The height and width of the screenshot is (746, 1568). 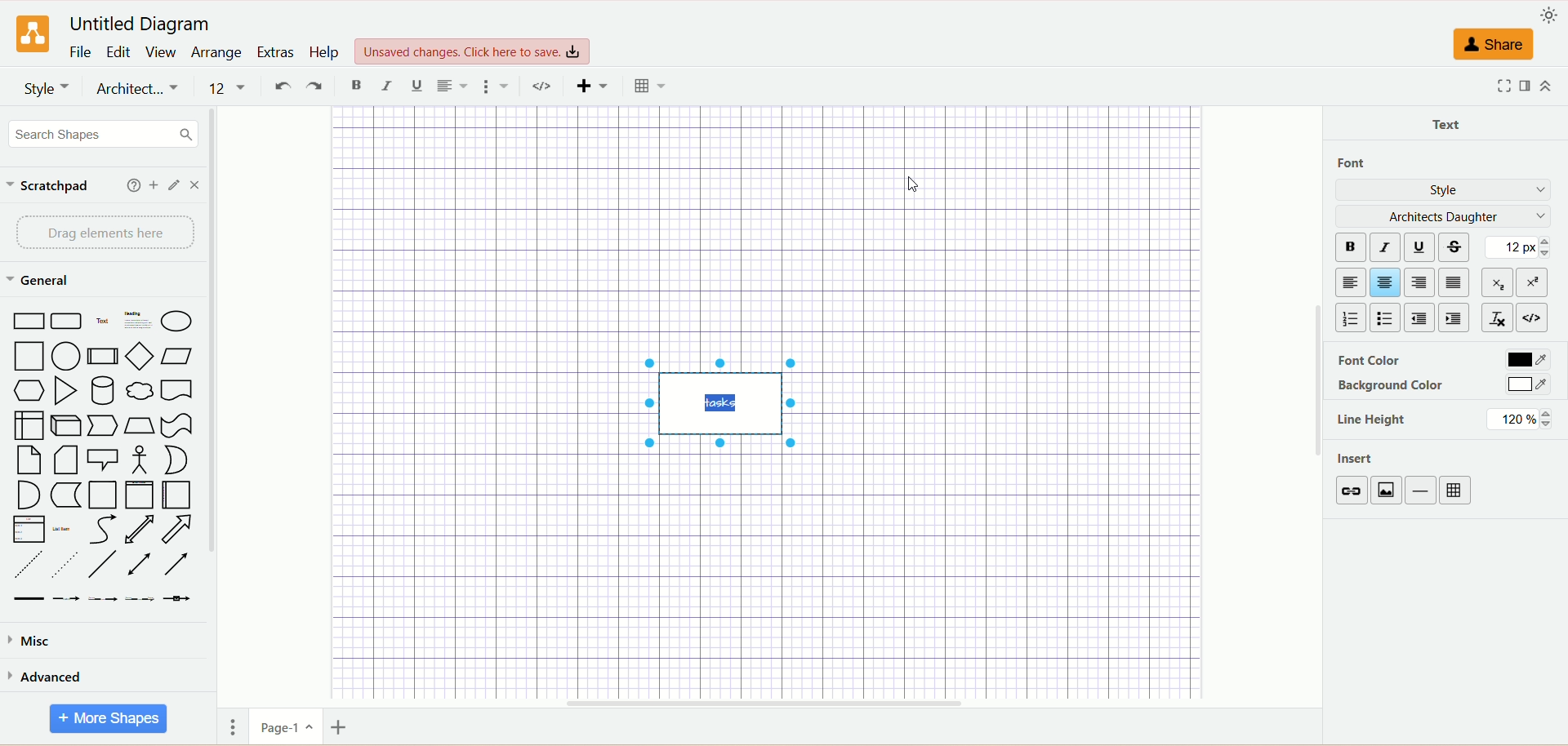 What do you see at coordinates (176, 495) in the screenshot?
I see `Horizontal Page` at bounding box center [176, 495].